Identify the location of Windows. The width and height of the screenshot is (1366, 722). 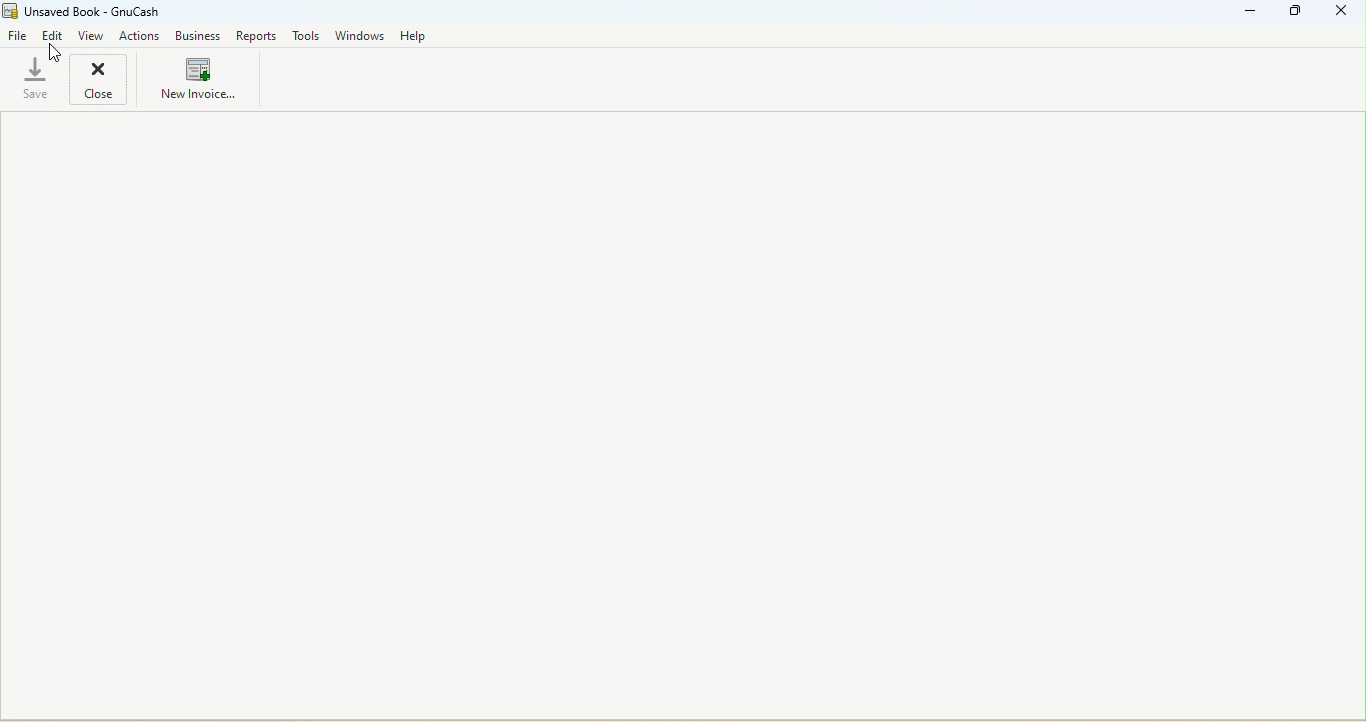
(360, 37).